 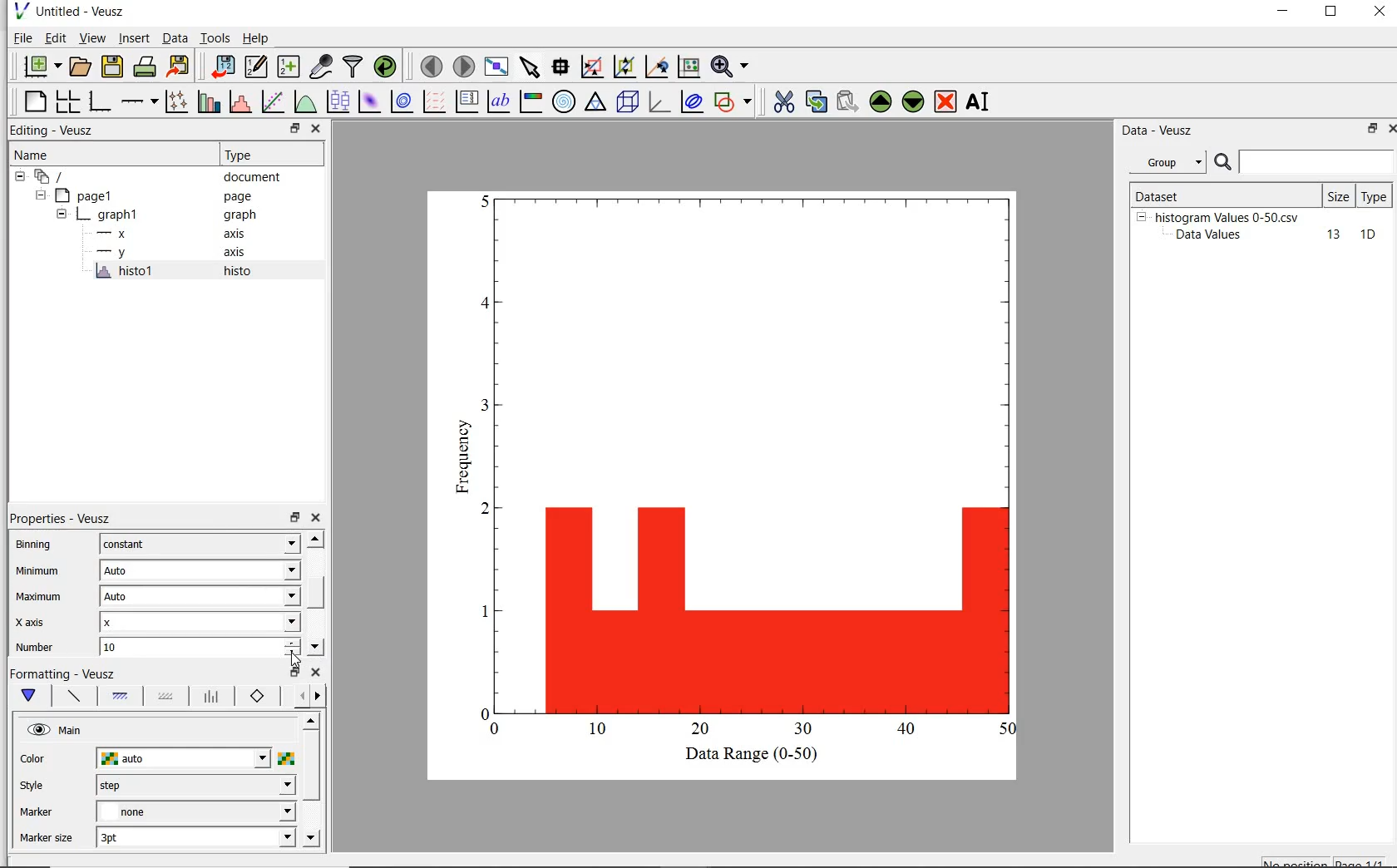 I want to click on export to graphics format, so click(x=180, y=65).